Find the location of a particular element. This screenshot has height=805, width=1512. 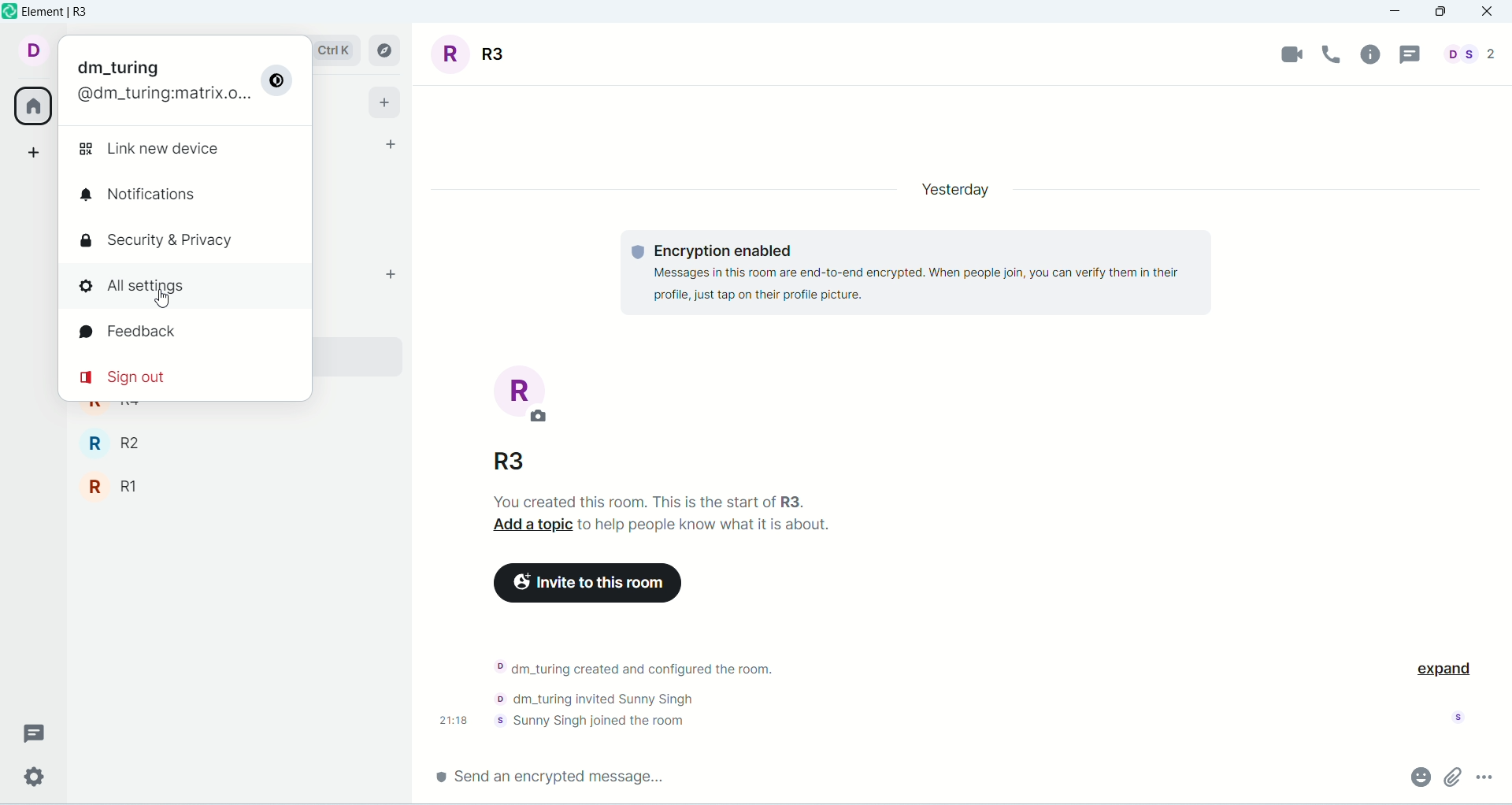

room is located at coordinates (523, 395).